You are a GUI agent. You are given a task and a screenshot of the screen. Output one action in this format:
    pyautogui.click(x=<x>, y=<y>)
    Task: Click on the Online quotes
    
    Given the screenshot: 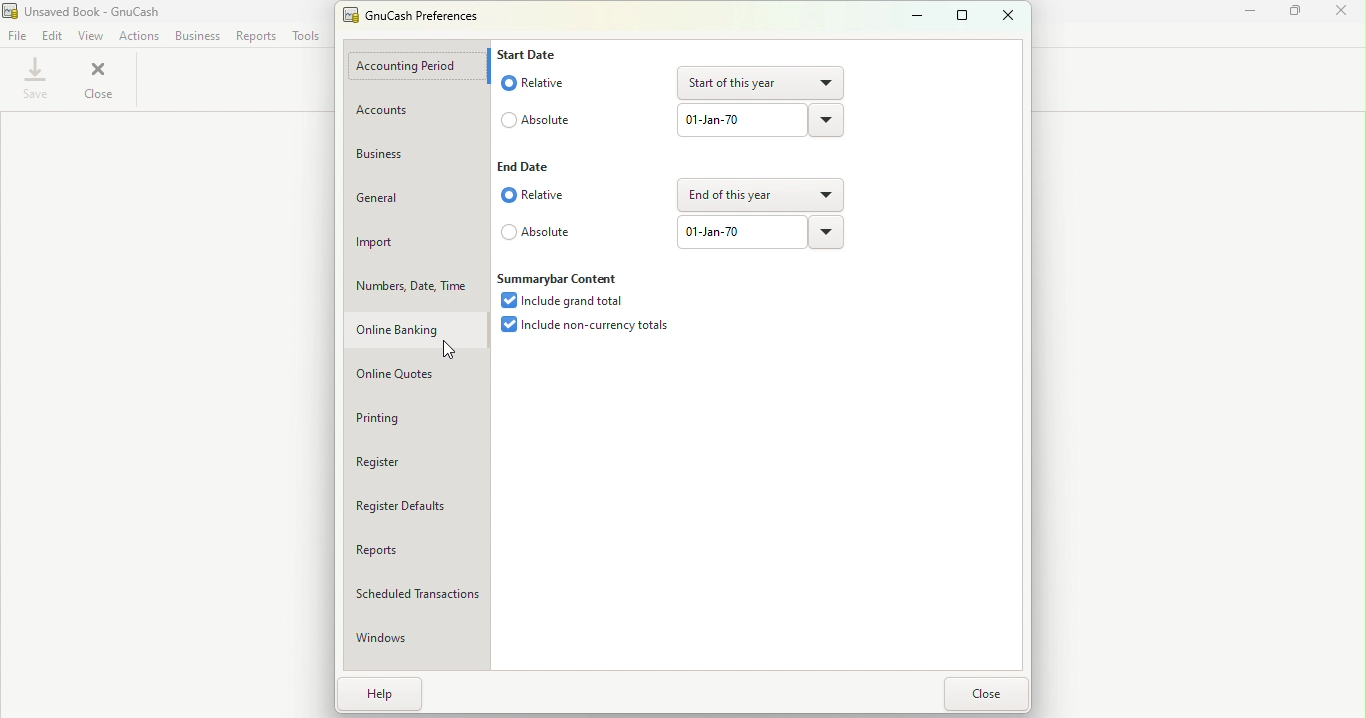 What is the action you would take?
    pyautogui.click(x=412, y=373)
    